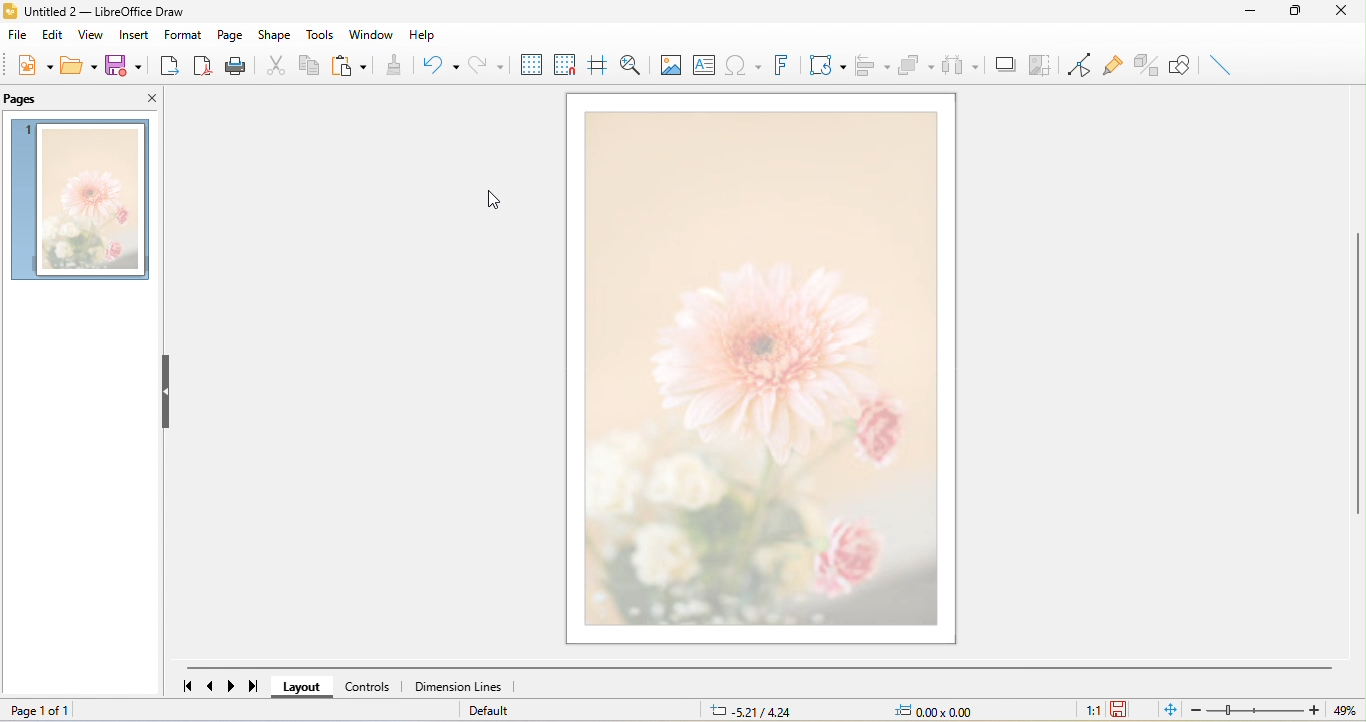  What do you see at coordinates (19, 35) in the screenshot?
I see `file` at bounding box center [19, 35].